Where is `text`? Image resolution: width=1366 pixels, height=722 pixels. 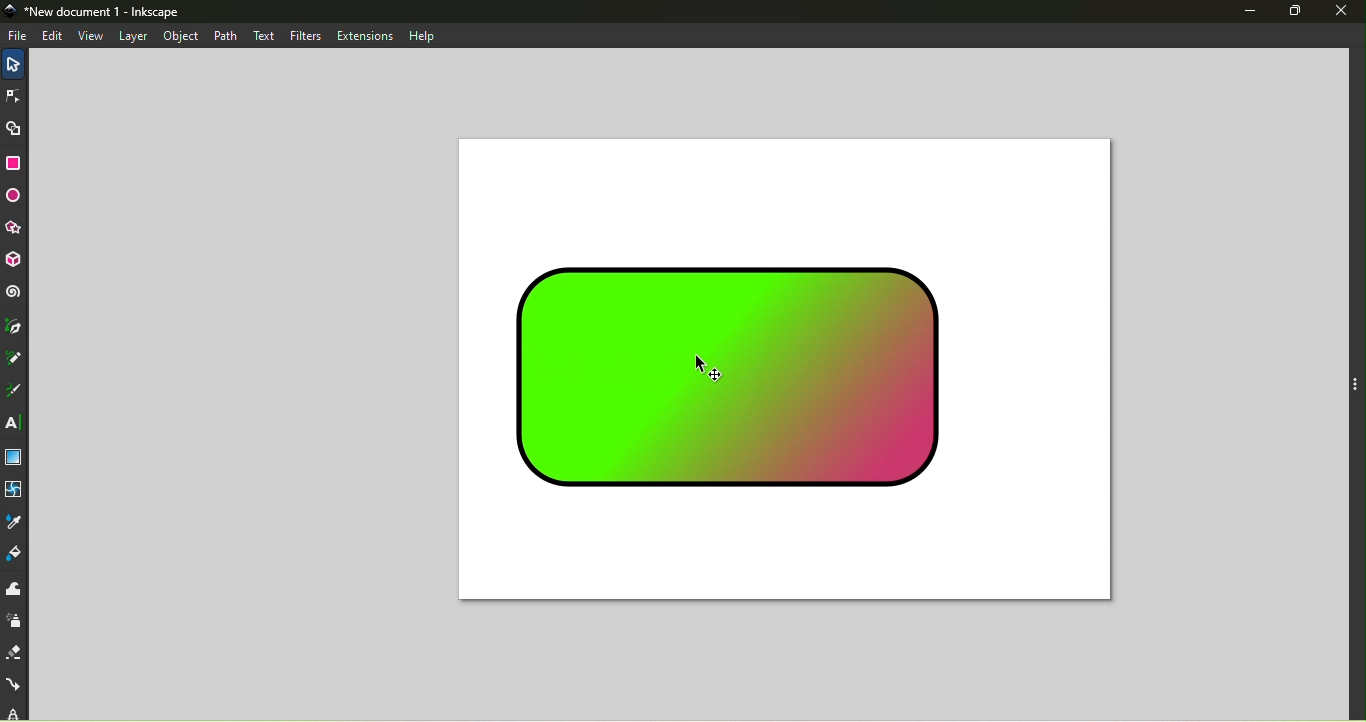 text is located at coordinates (262, 34).